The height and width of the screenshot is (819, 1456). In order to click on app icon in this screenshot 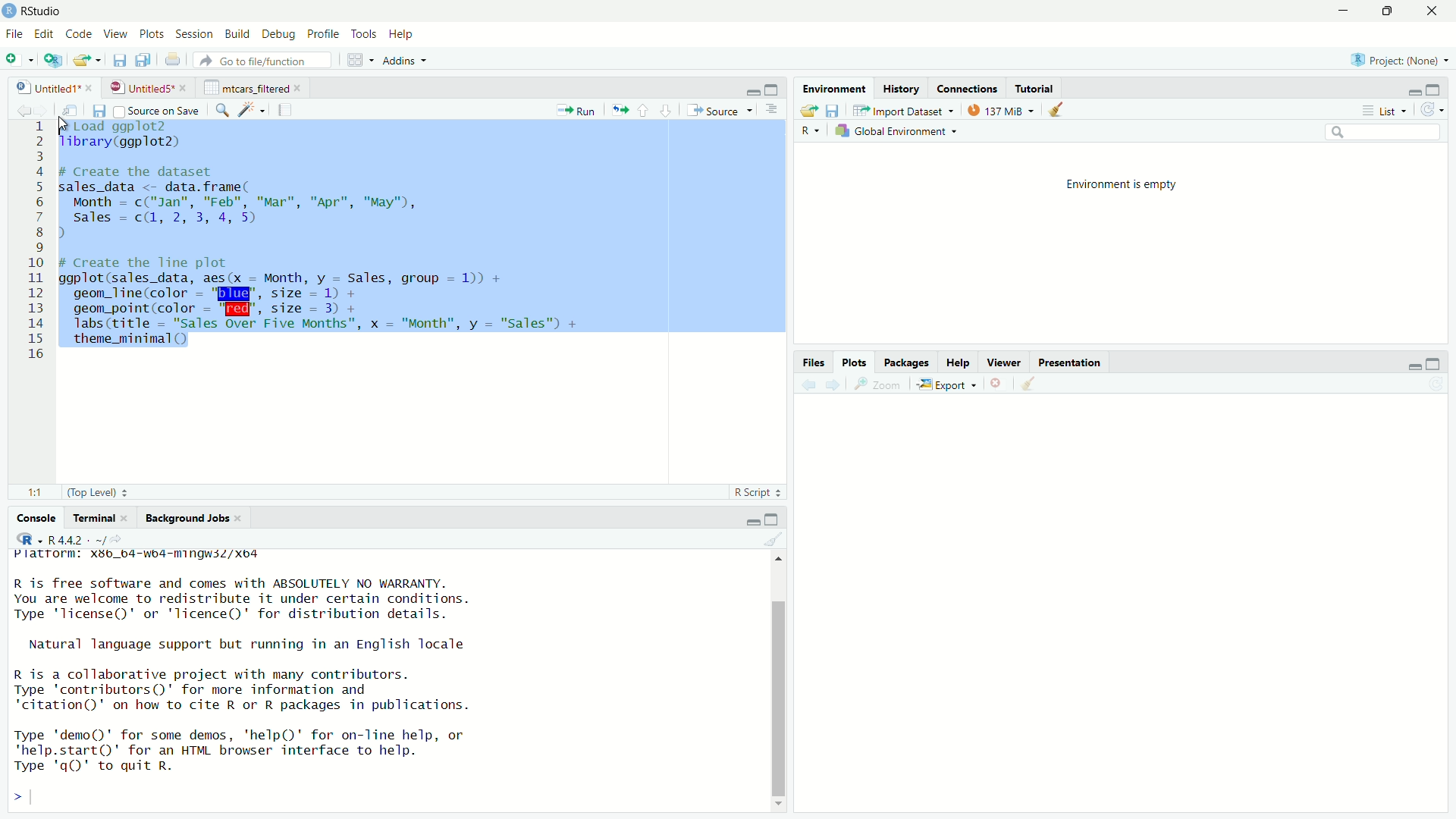, I will do `click(9, 11)`.